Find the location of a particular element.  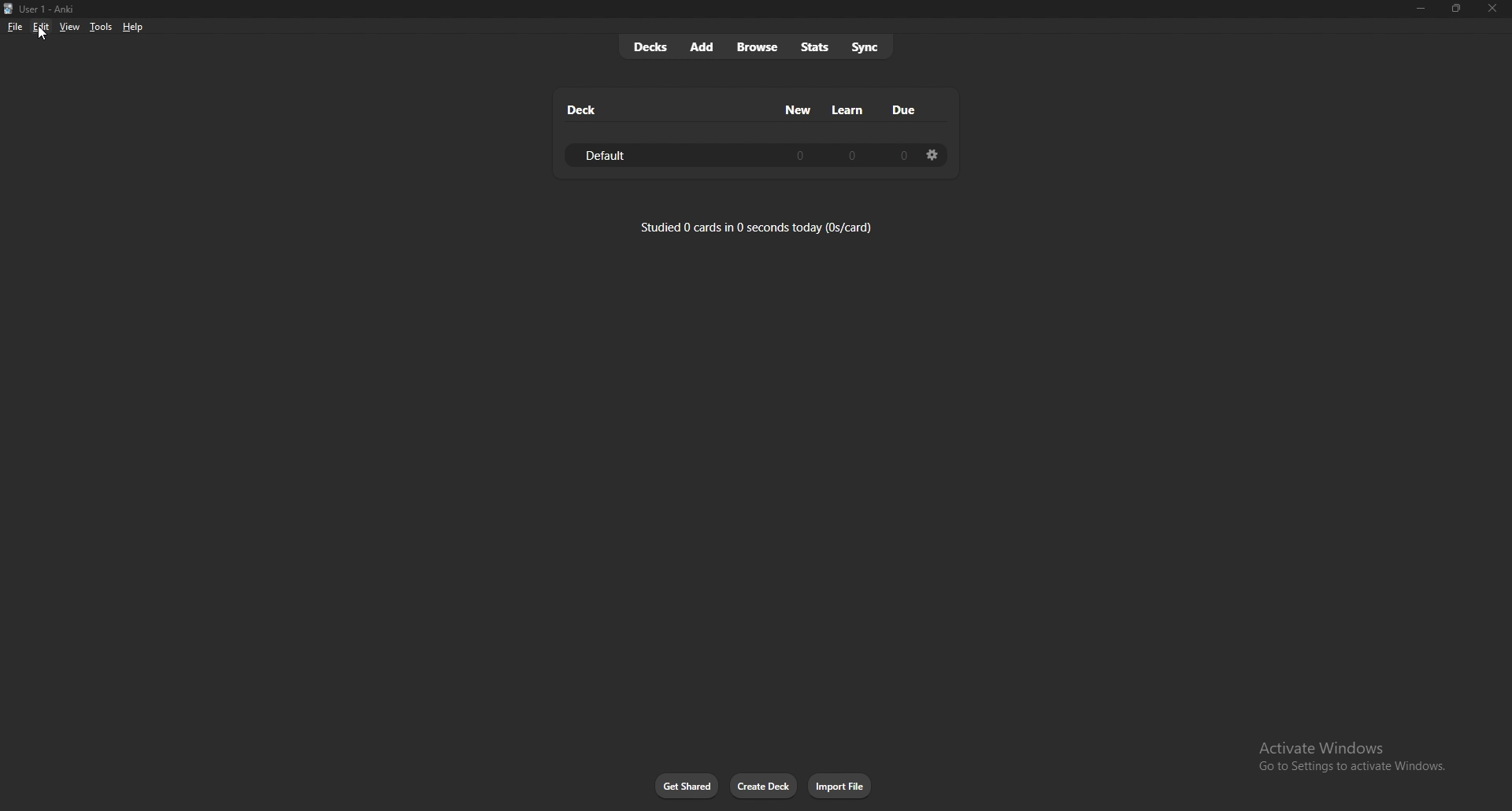

minimize is located at coordinates (1420, 9).